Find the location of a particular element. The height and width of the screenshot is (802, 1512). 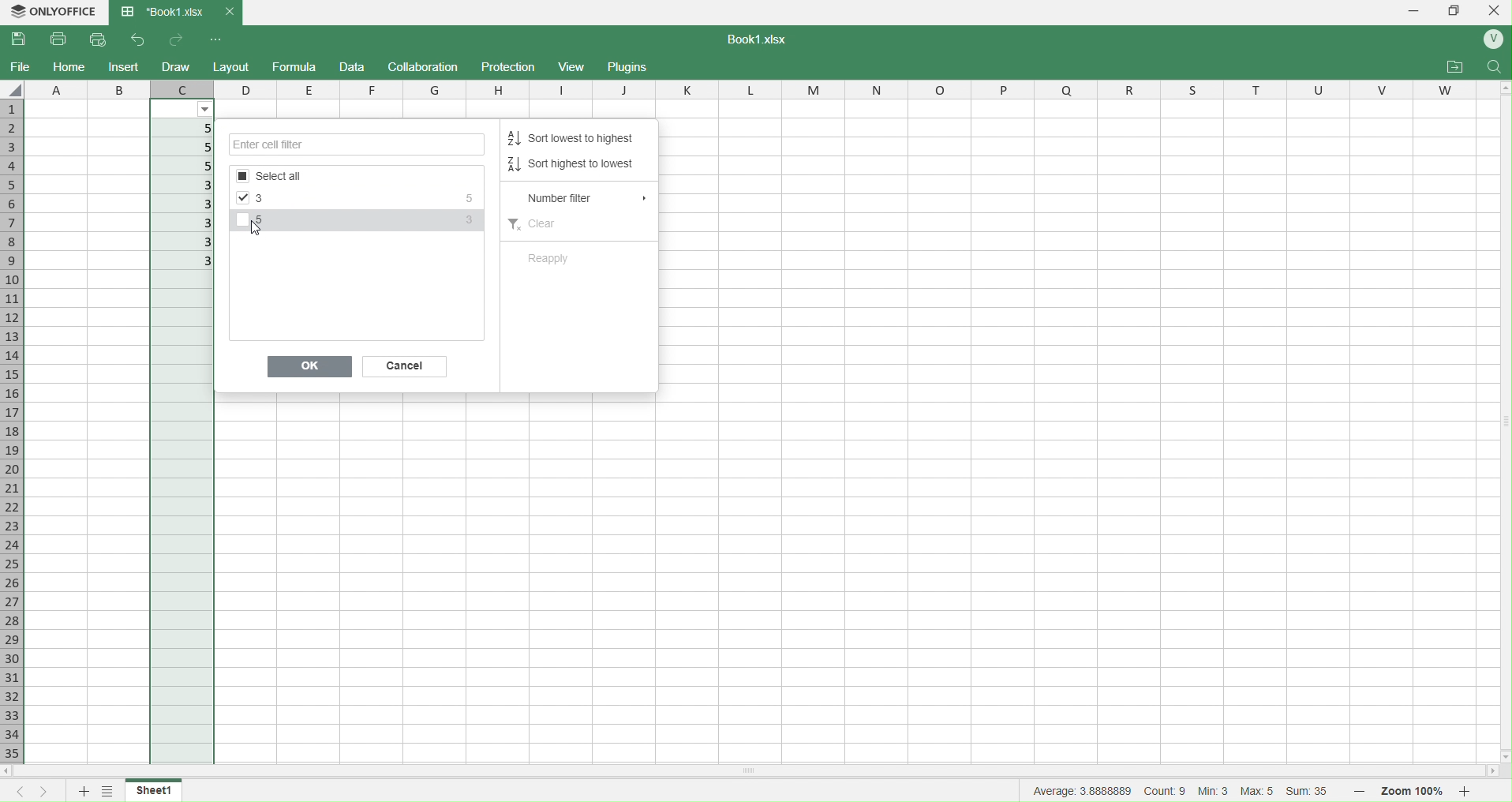

Minimize is located at coordinates (1415, 11).